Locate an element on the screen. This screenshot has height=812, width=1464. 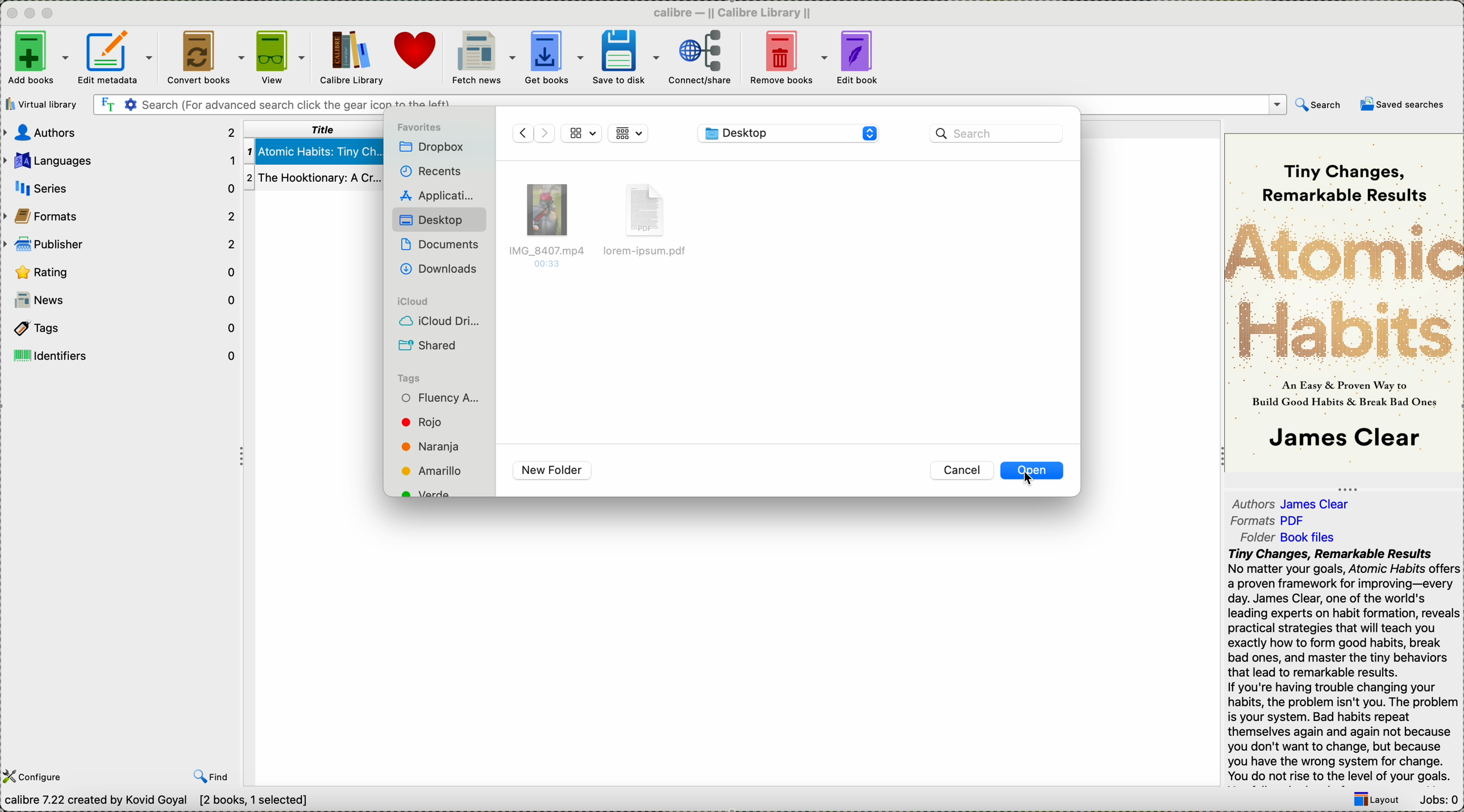
tag is located at coordinates (432, 446).